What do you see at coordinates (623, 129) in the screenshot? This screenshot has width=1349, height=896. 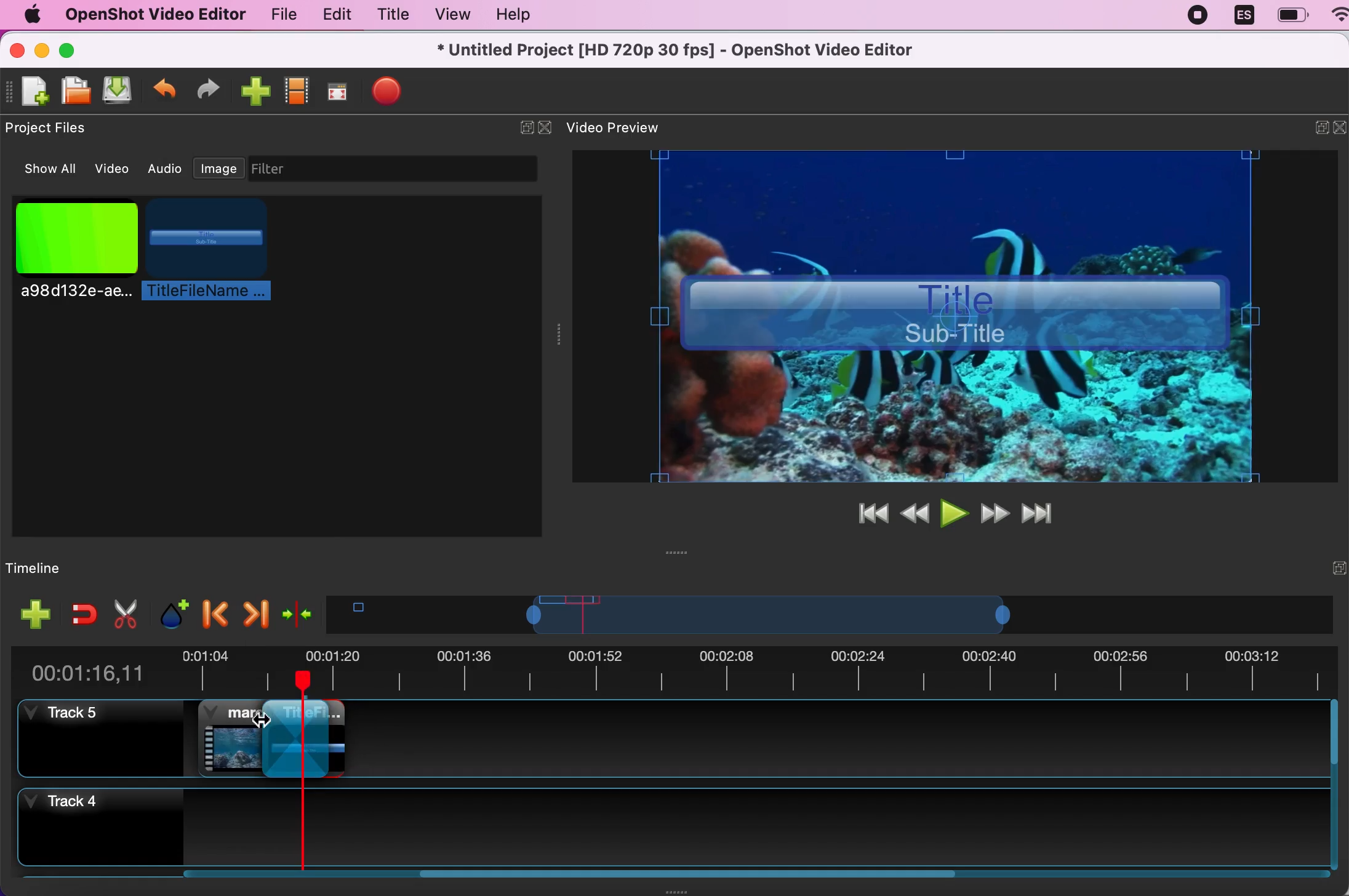 I see `video preview` at bounding box center [623, 129].